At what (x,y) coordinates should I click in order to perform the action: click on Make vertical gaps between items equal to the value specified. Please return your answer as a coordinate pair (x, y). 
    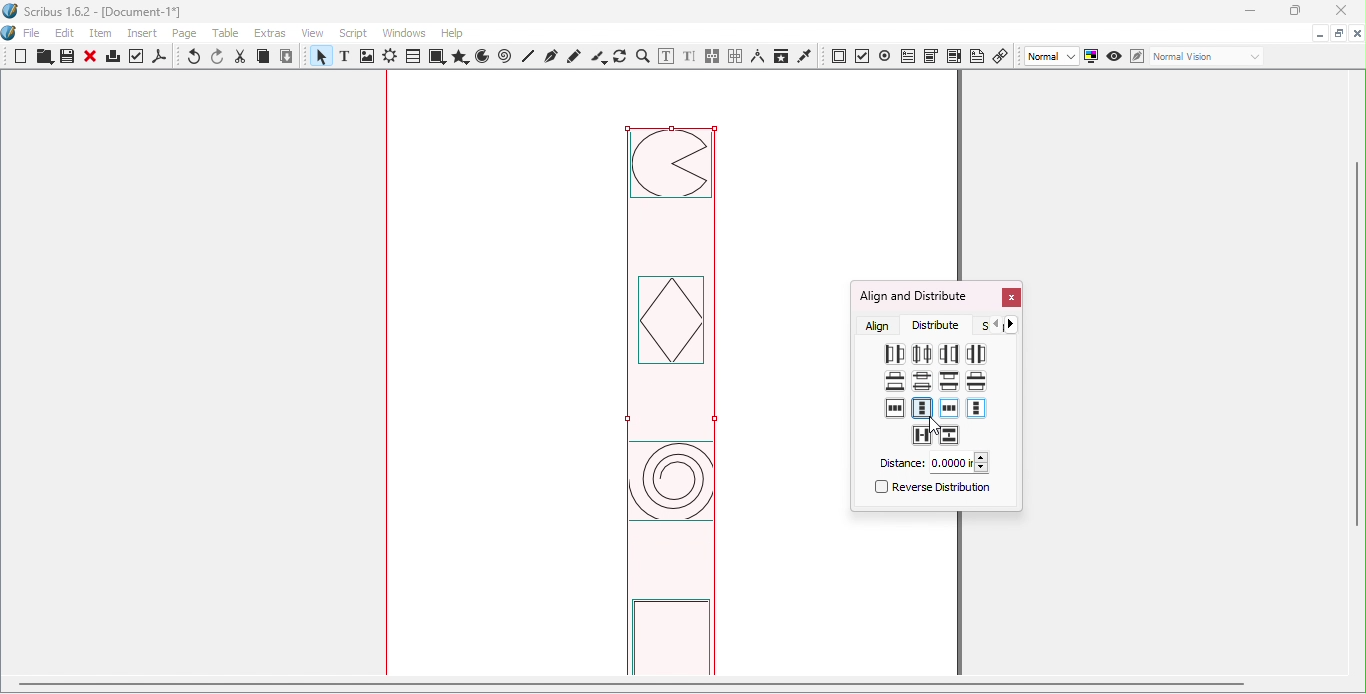
    Looking at the image, I should click on (950, 436).